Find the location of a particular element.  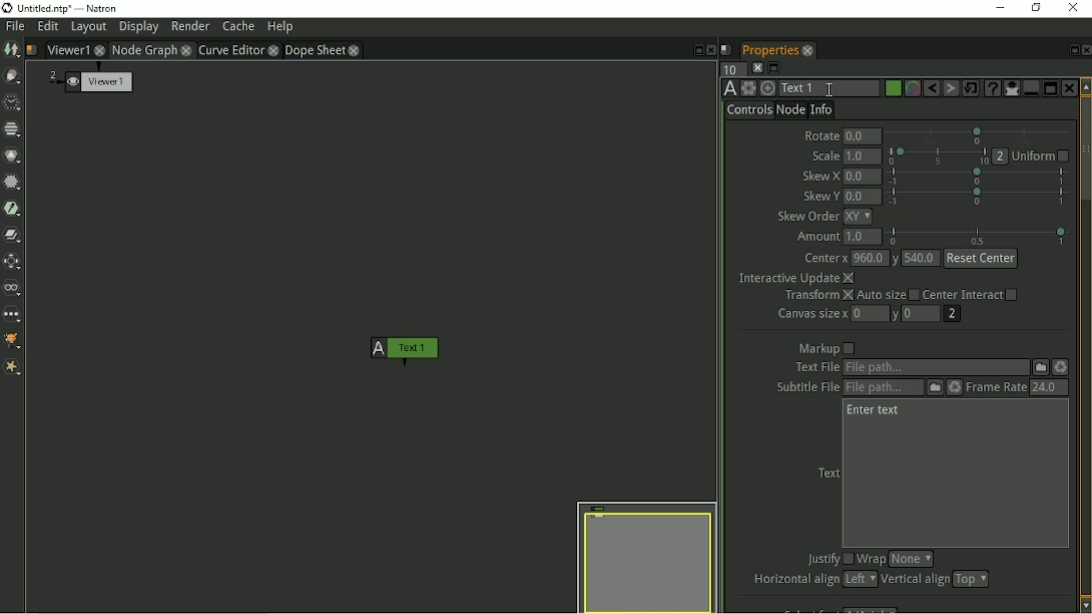

Horizontal align is located at coordinates (792, 580).